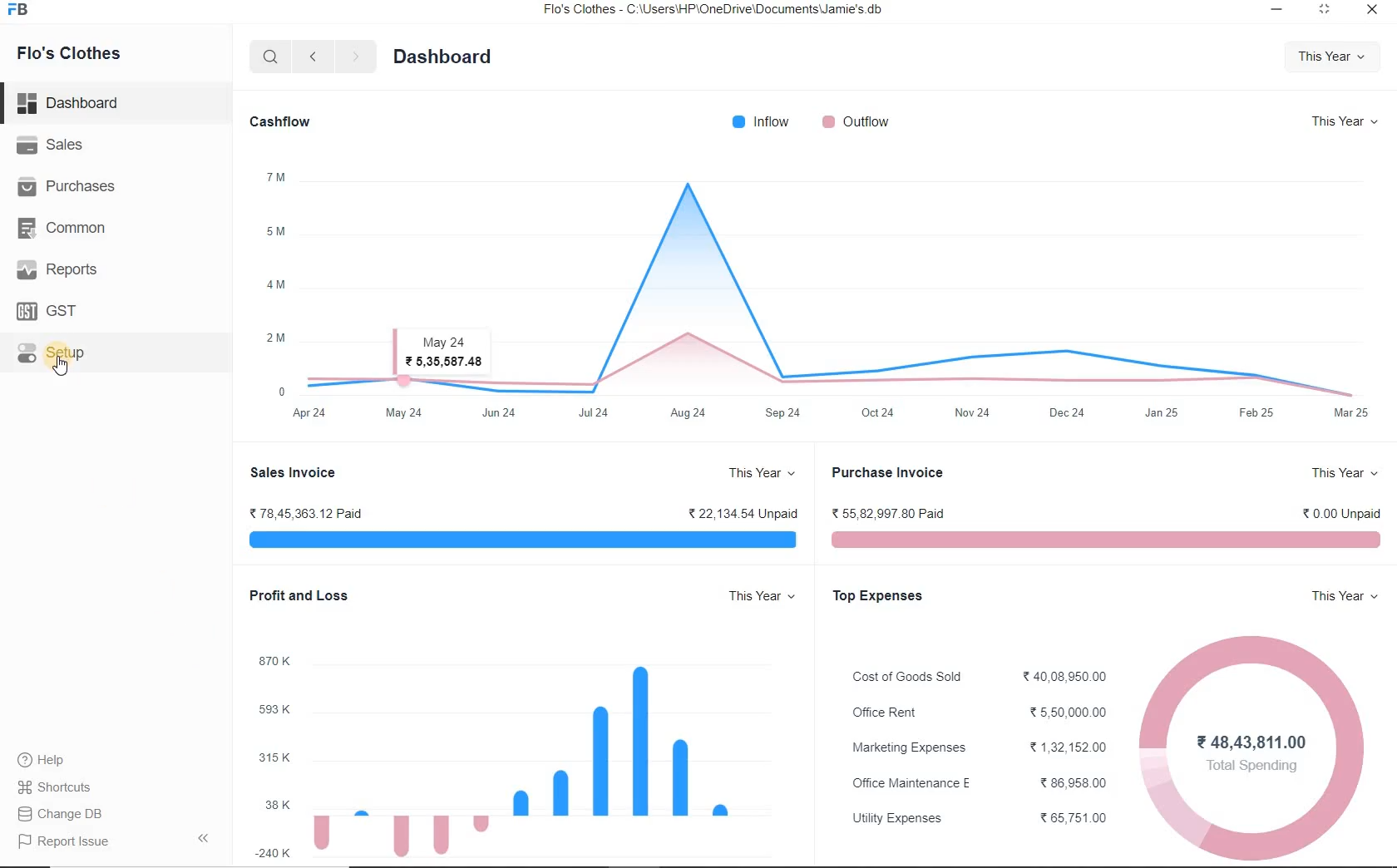 The width and height of the screenshot is (1397, 868). I want to click on This Year , so click(1334, 57).